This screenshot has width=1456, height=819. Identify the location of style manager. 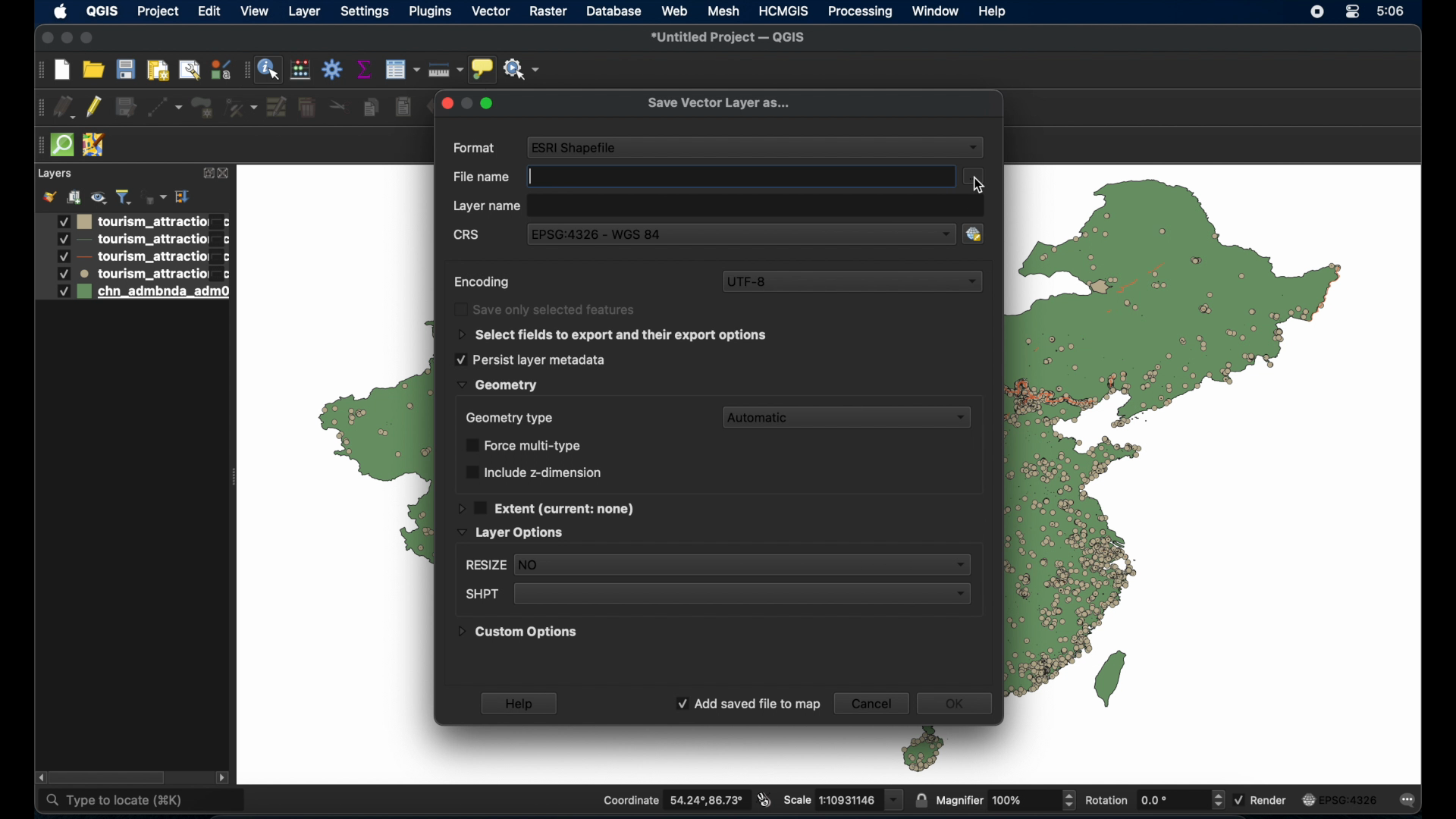
(219, 68).